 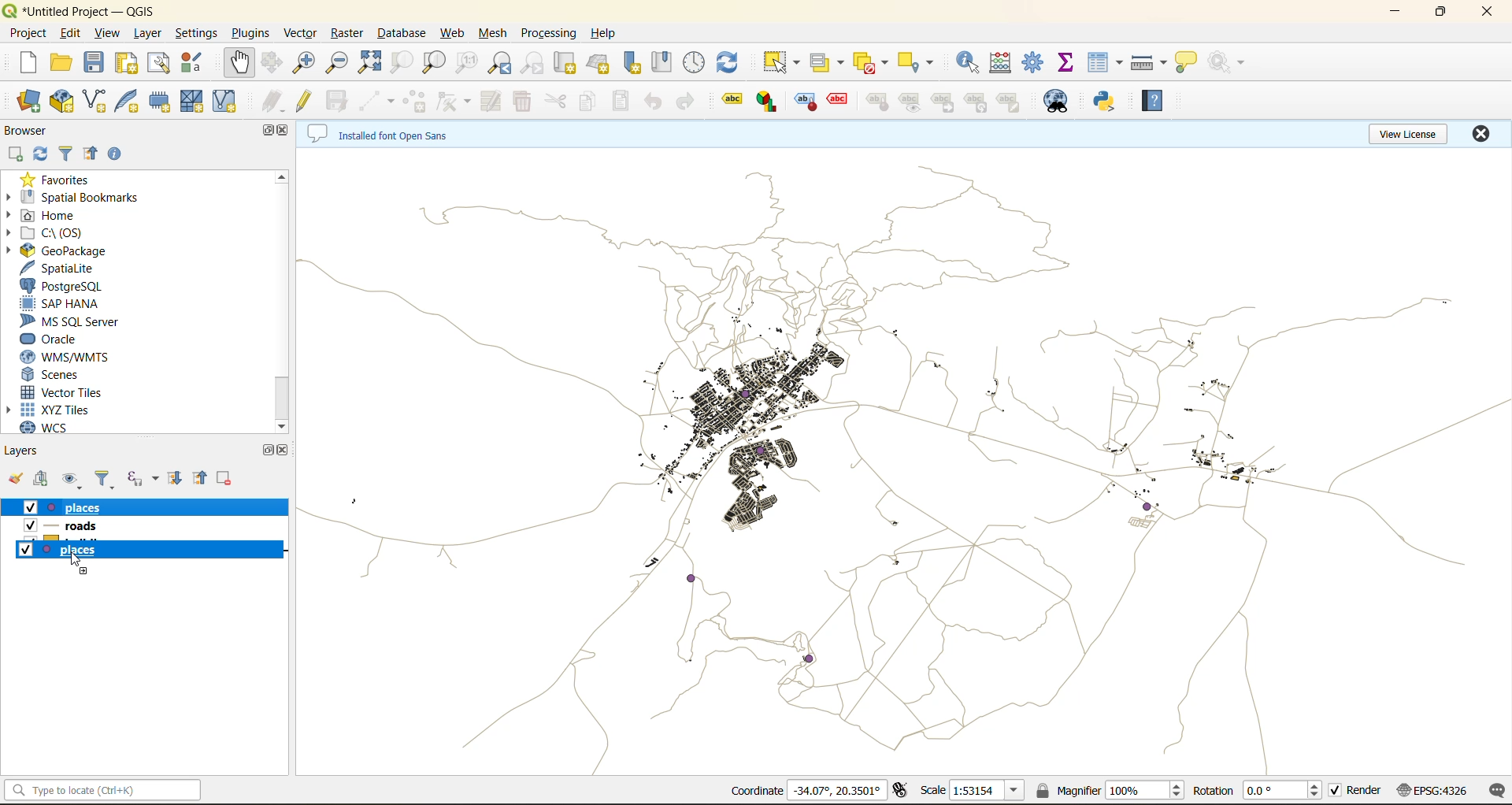 I want to click on layers, so click(x=27, y=451).